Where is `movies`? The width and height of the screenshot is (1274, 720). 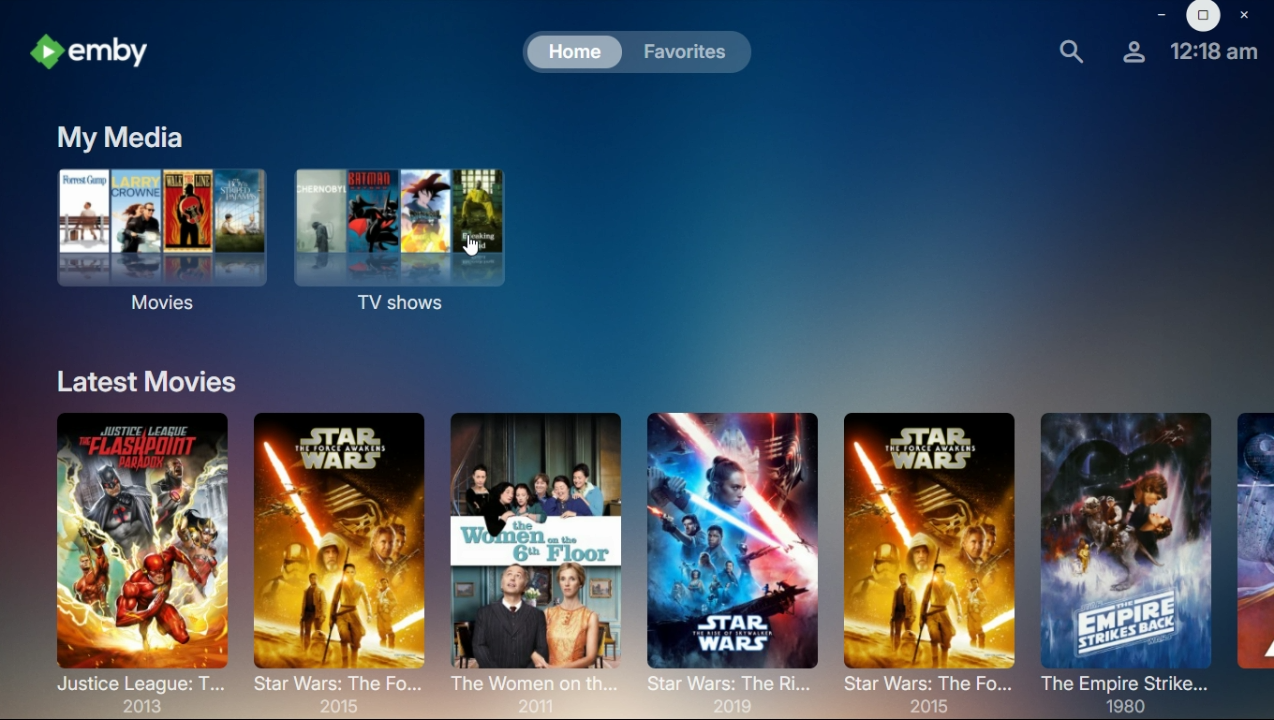
movies is located at coordinates (160, 235).